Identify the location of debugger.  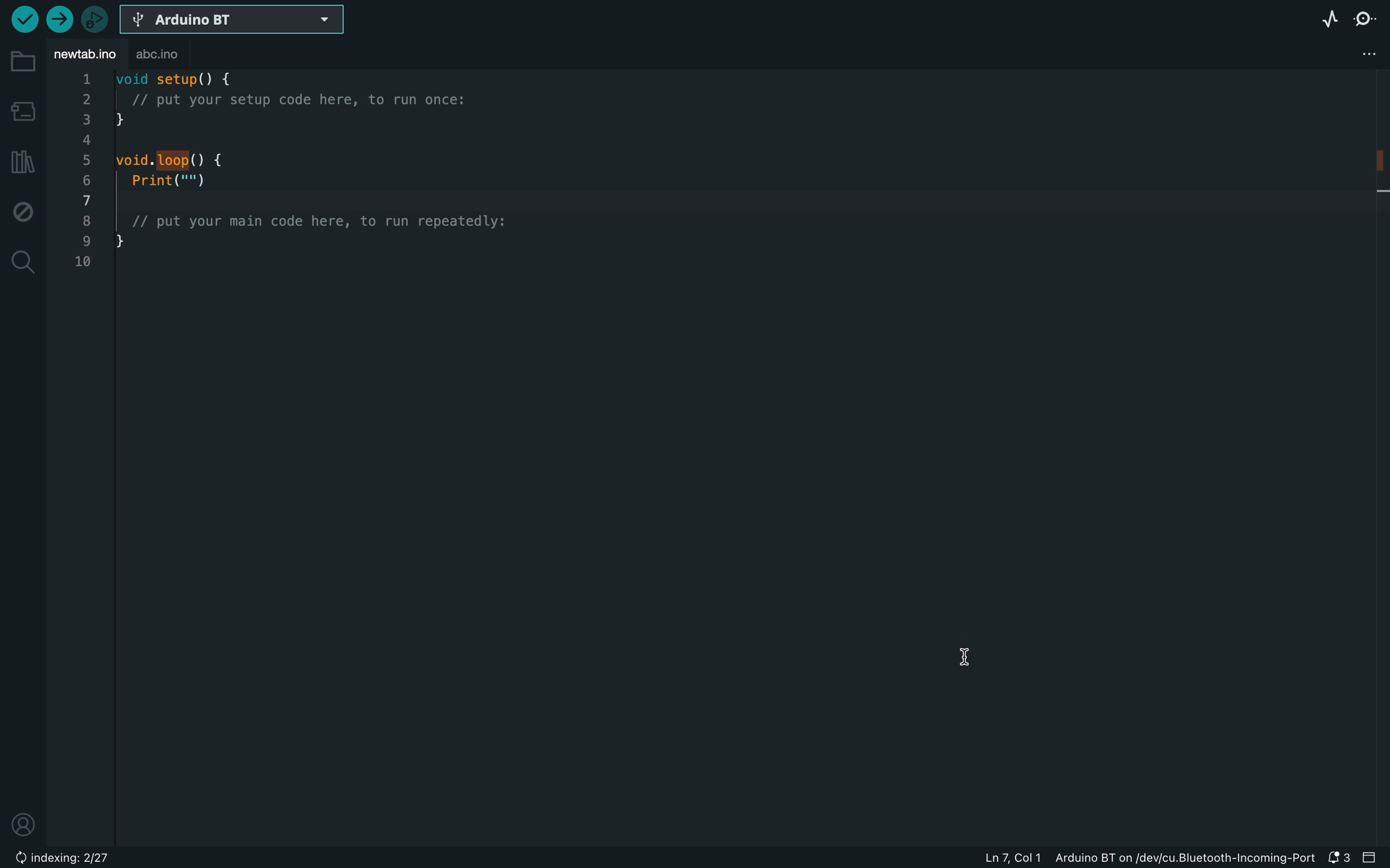
(93, 18).